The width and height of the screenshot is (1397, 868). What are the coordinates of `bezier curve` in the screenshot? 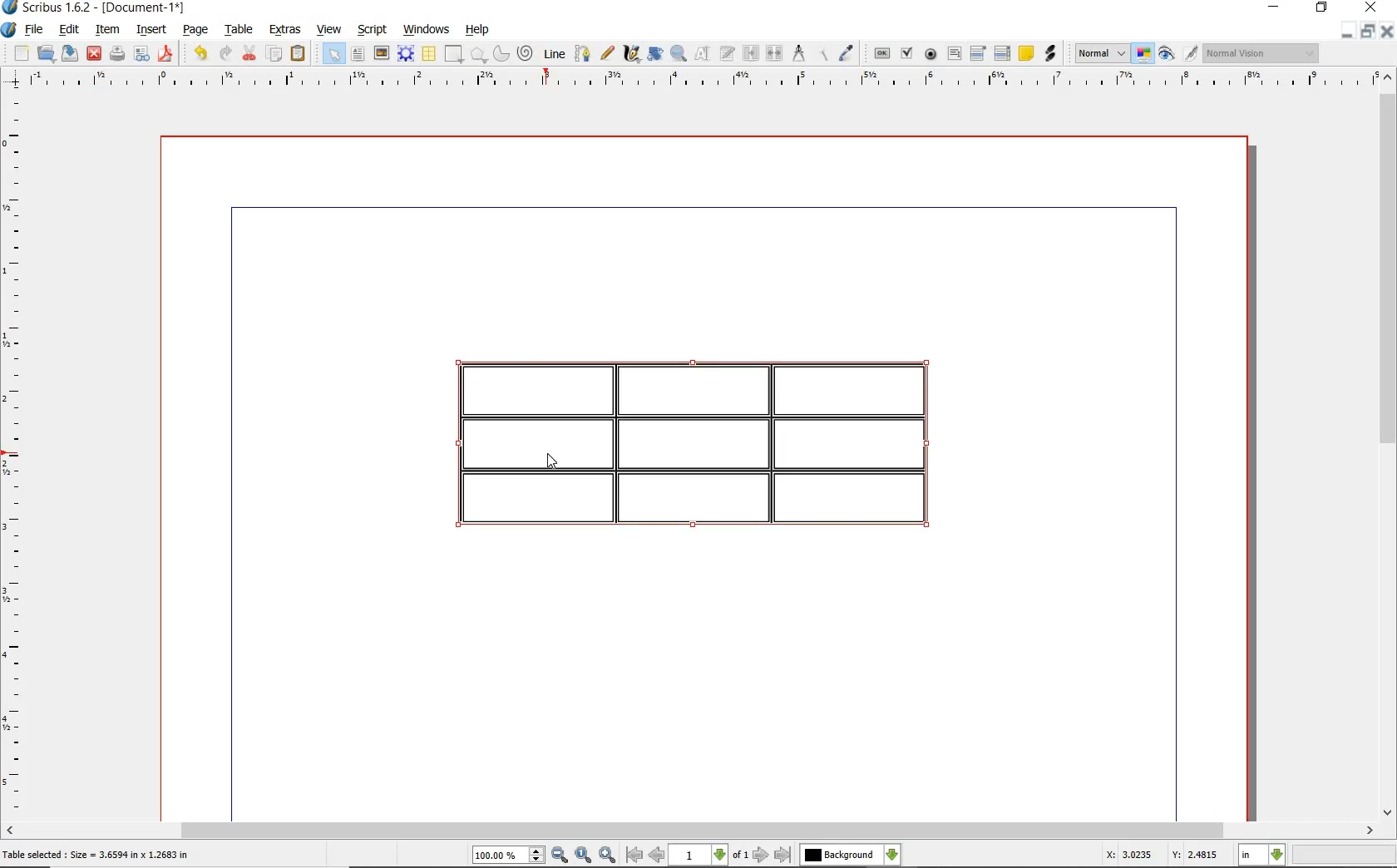 It's located at (583, 56).